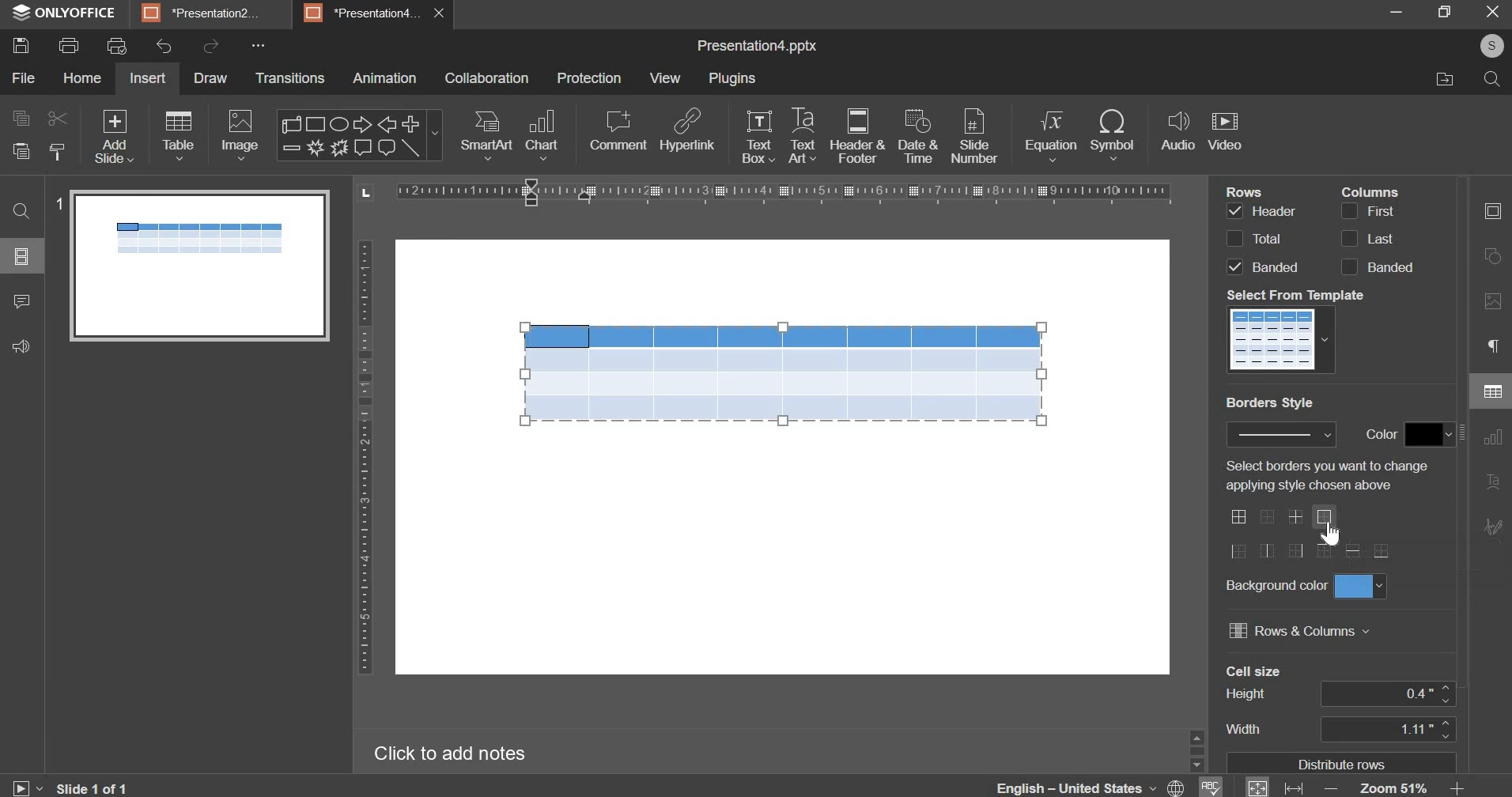 The image size is (1512, 797). I want to click on border style, so click(1280, 435).